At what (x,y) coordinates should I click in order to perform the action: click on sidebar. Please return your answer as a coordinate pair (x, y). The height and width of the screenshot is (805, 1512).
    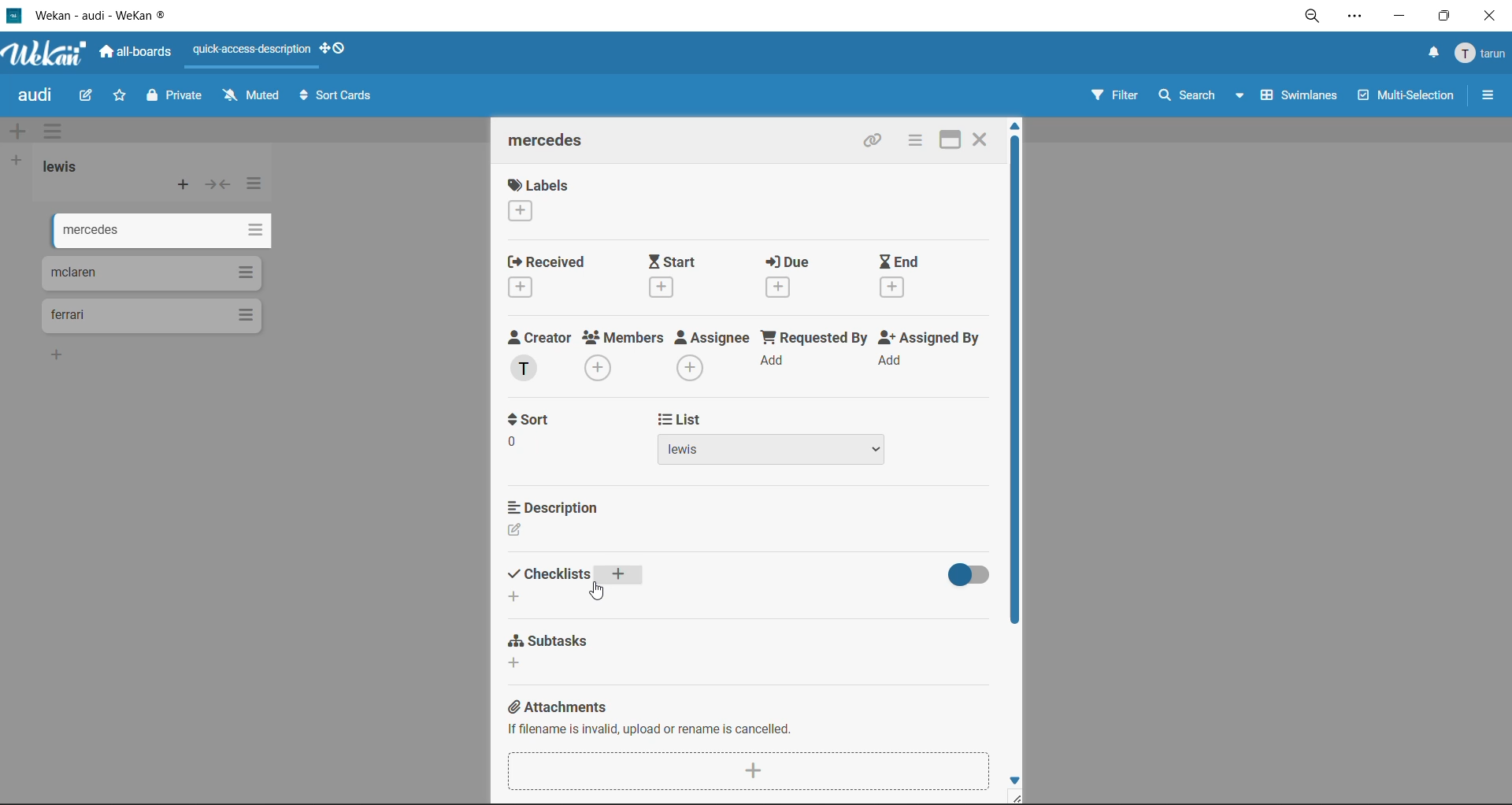
    Looking at the image, I should click on (1488, 95).